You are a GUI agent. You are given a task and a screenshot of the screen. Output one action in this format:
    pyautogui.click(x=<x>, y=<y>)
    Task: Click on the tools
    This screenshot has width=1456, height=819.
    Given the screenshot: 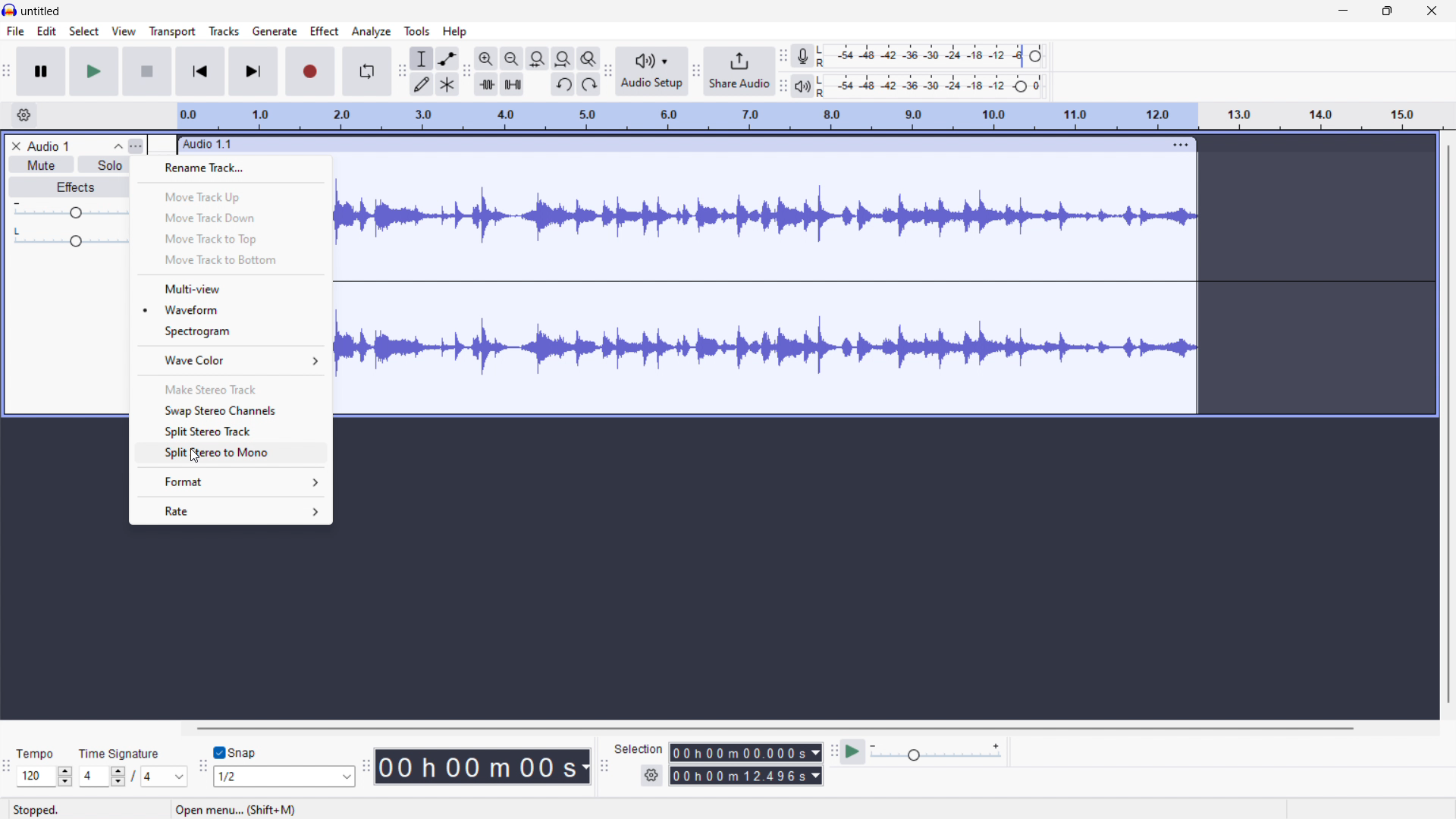 What is the action you would take?
    pyautogui.click(x=417, y=31)
    